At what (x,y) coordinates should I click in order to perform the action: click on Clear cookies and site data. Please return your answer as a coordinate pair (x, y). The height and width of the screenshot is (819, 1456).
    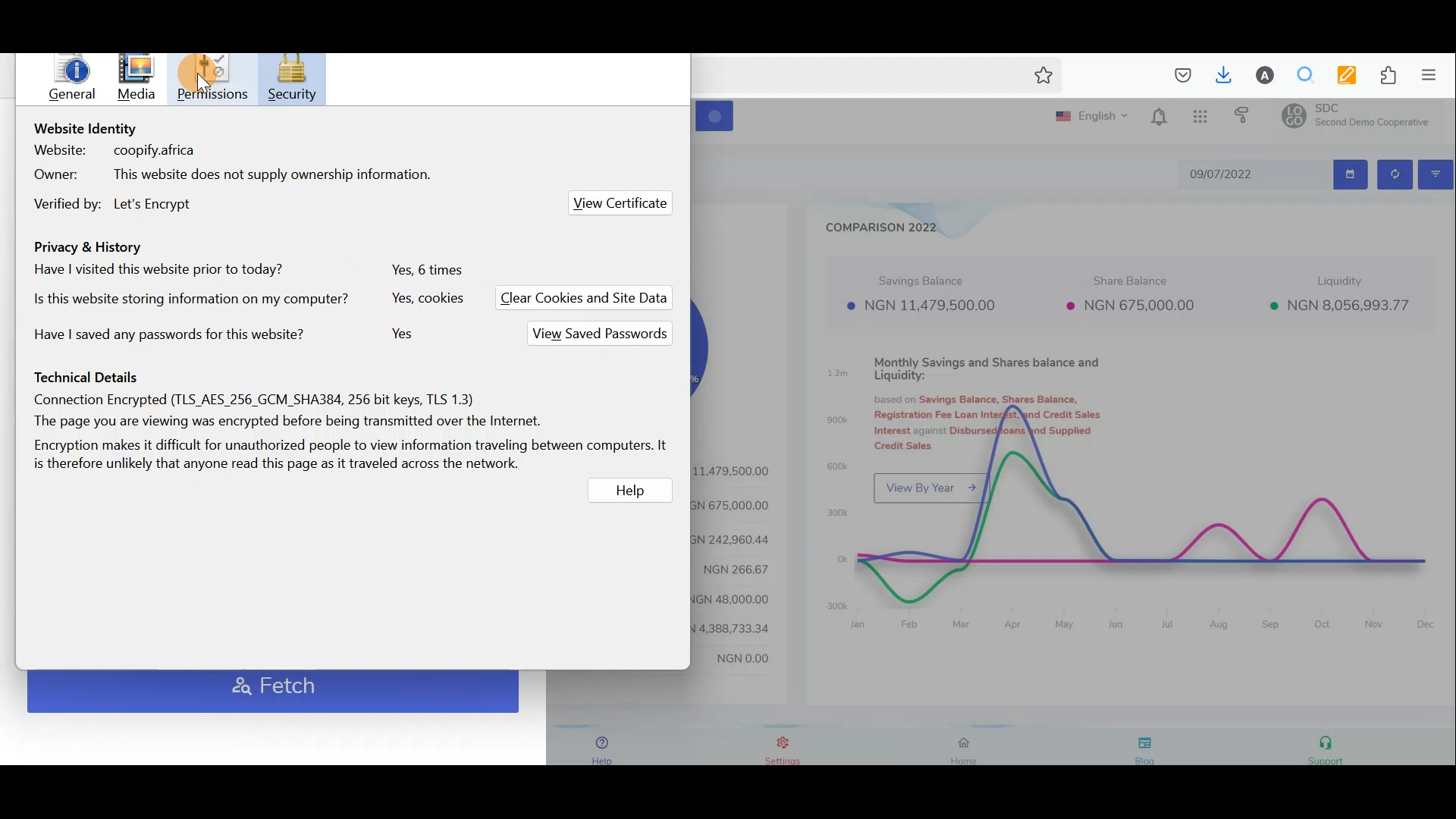
    Looking at the image, I should click on (593, 299).